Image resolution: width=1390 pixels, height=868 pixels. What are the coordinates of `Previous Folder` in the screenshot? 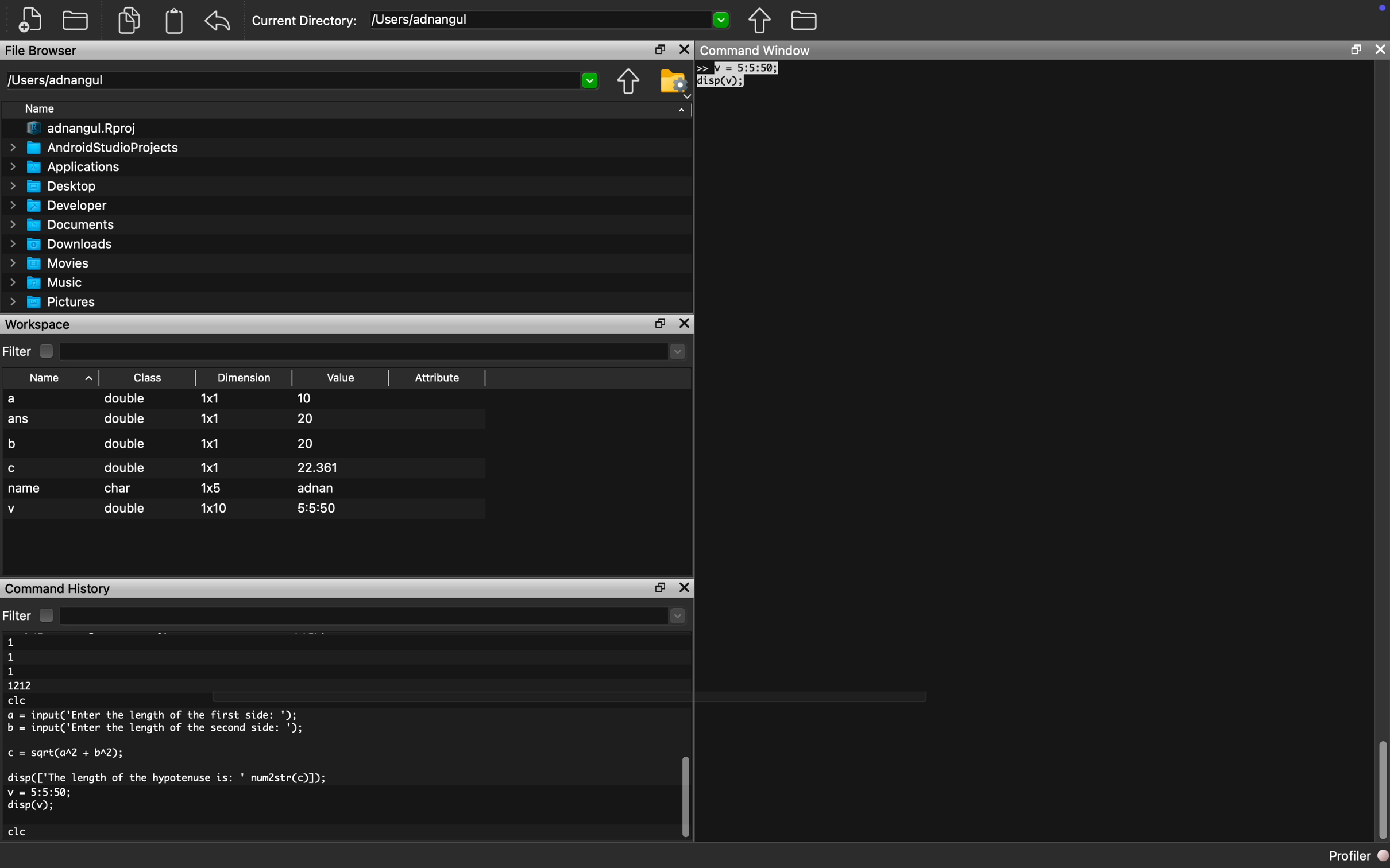 It's located at (627, 82).